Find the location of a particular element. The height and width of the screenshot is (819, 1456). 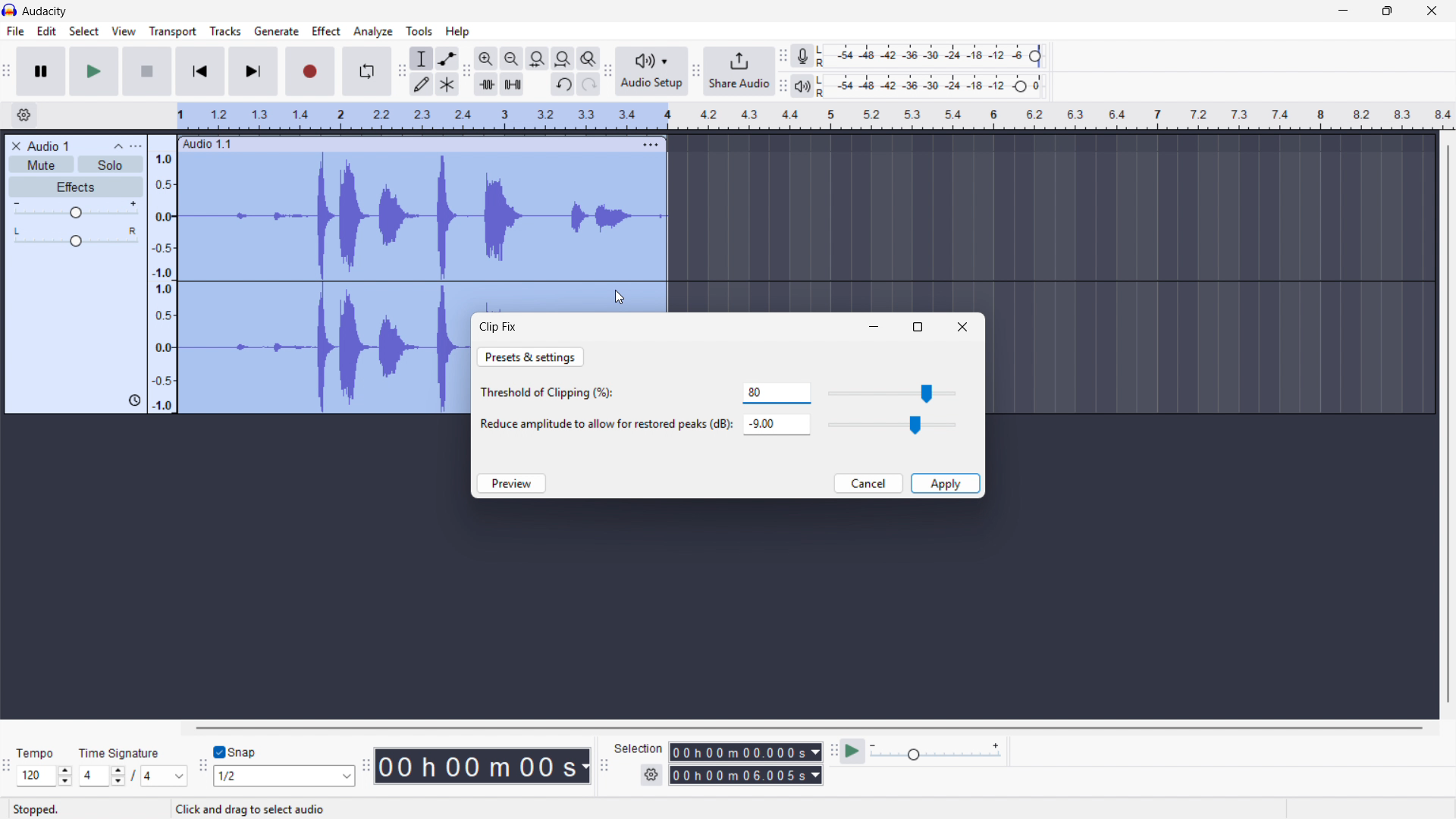

Set time signature is located at coordinates (133, 765).